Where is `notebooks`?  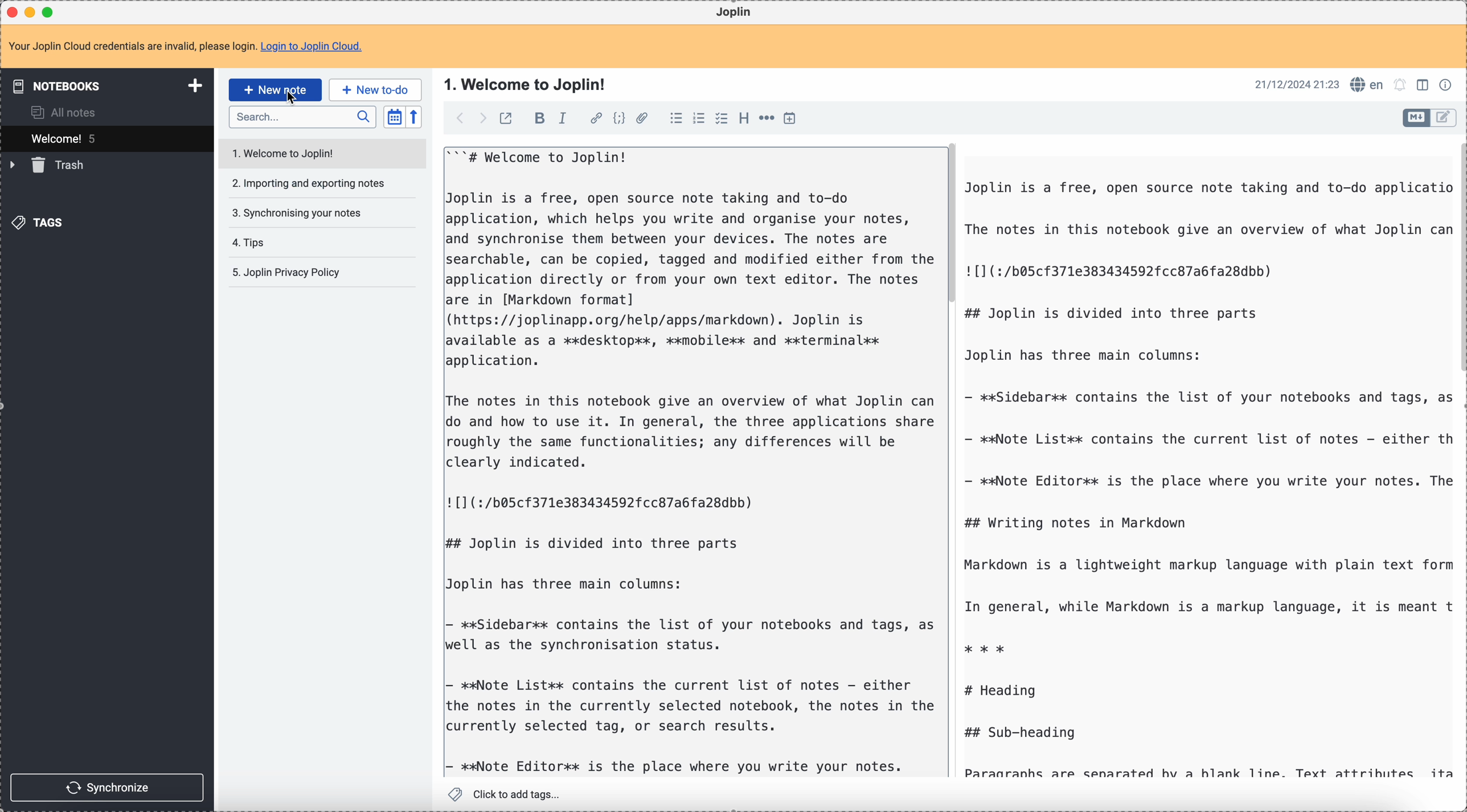 notebooks is located at coordinates (109, 85).